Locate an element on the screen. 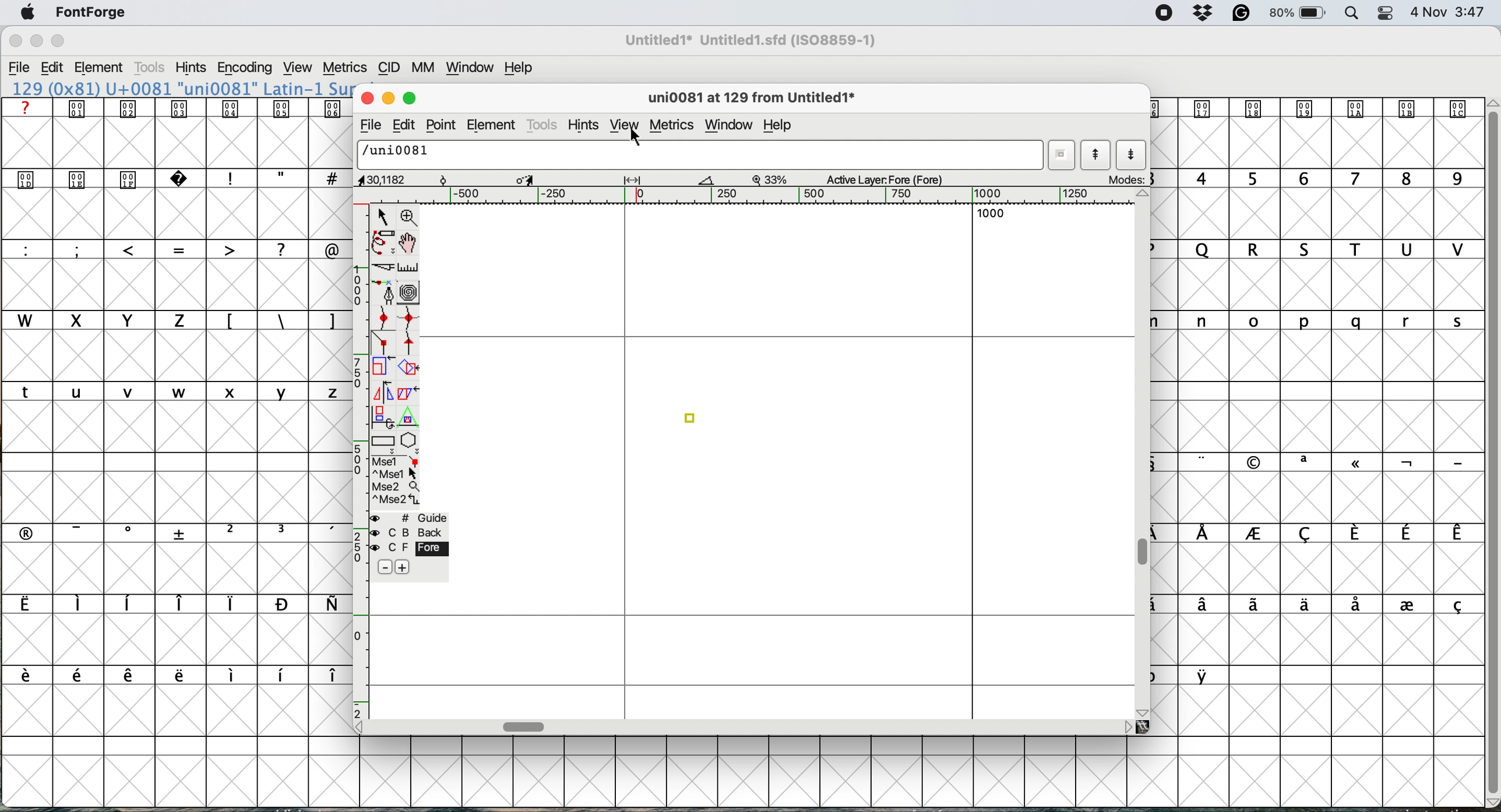 The width and height of the screenshot is (1501, 812). selector is located at coordinates (383, 216).